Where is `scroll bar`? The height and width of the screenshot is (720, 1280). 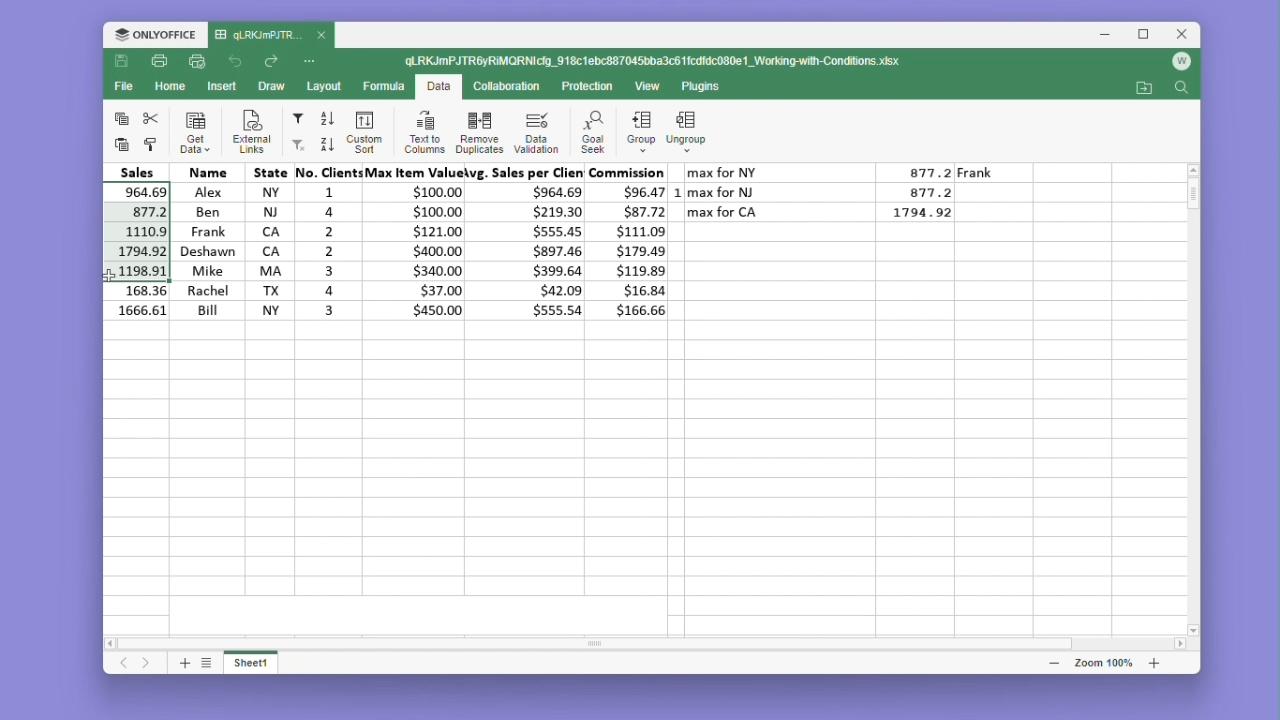
scroll bar is located at coordinates (529, 642).